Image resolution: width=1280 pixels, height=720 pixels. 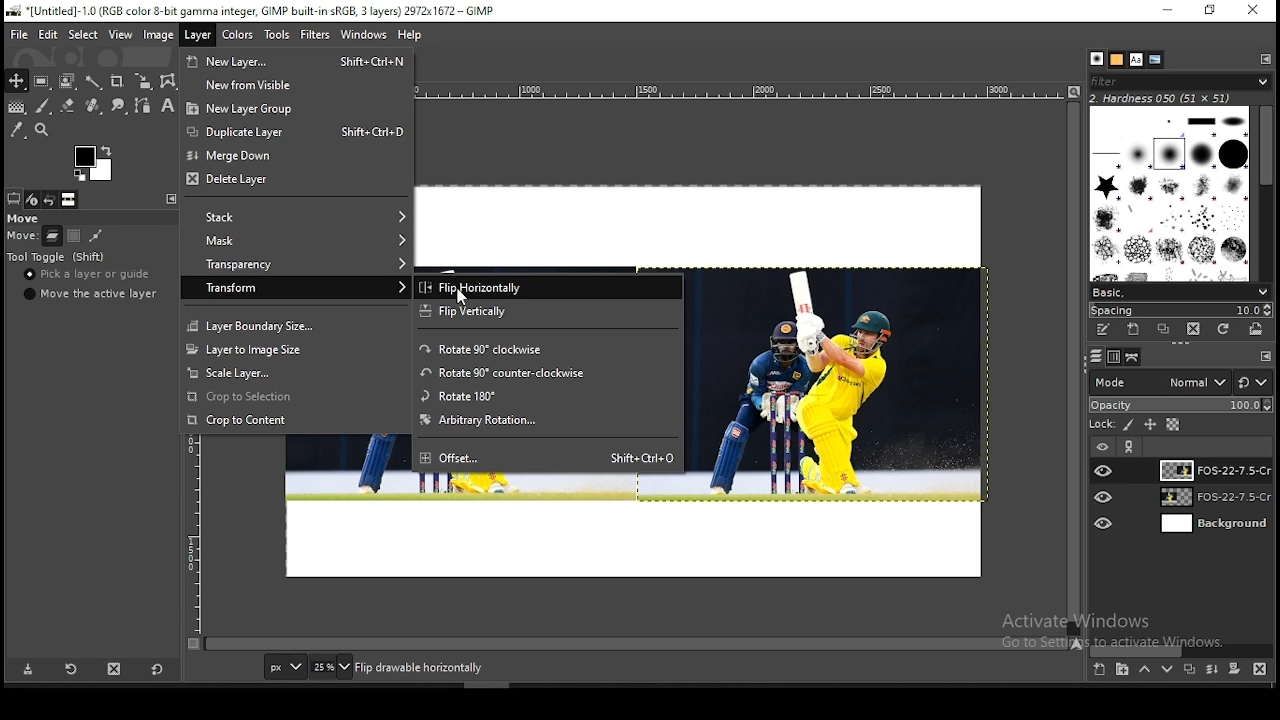 I want to click on offset, so click(x=502, y=455).